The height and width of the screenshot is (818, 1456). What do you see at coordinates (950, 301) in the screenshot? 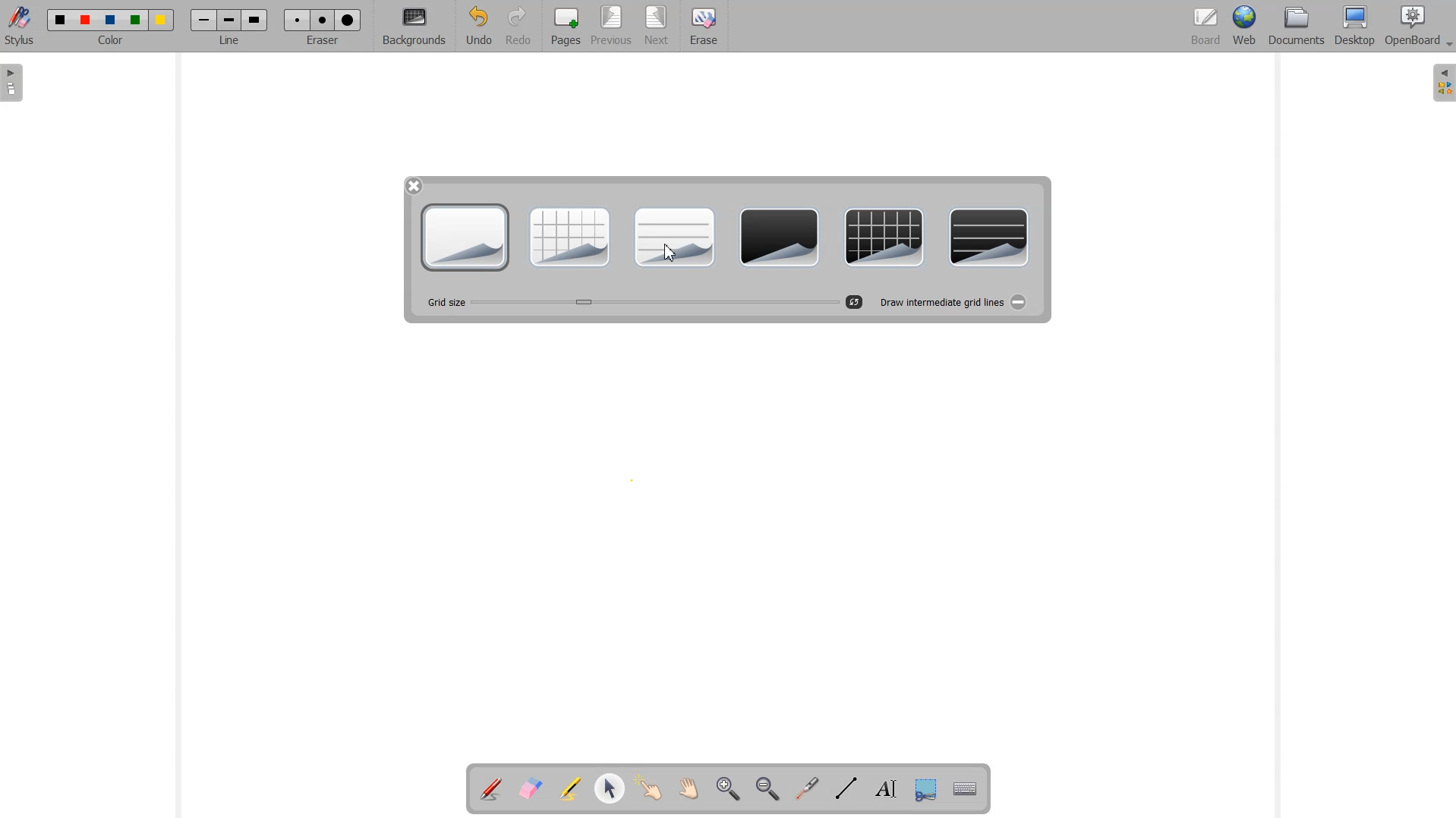
I see `Draw Intermediate grid lines` at bounding box center [950, 301].